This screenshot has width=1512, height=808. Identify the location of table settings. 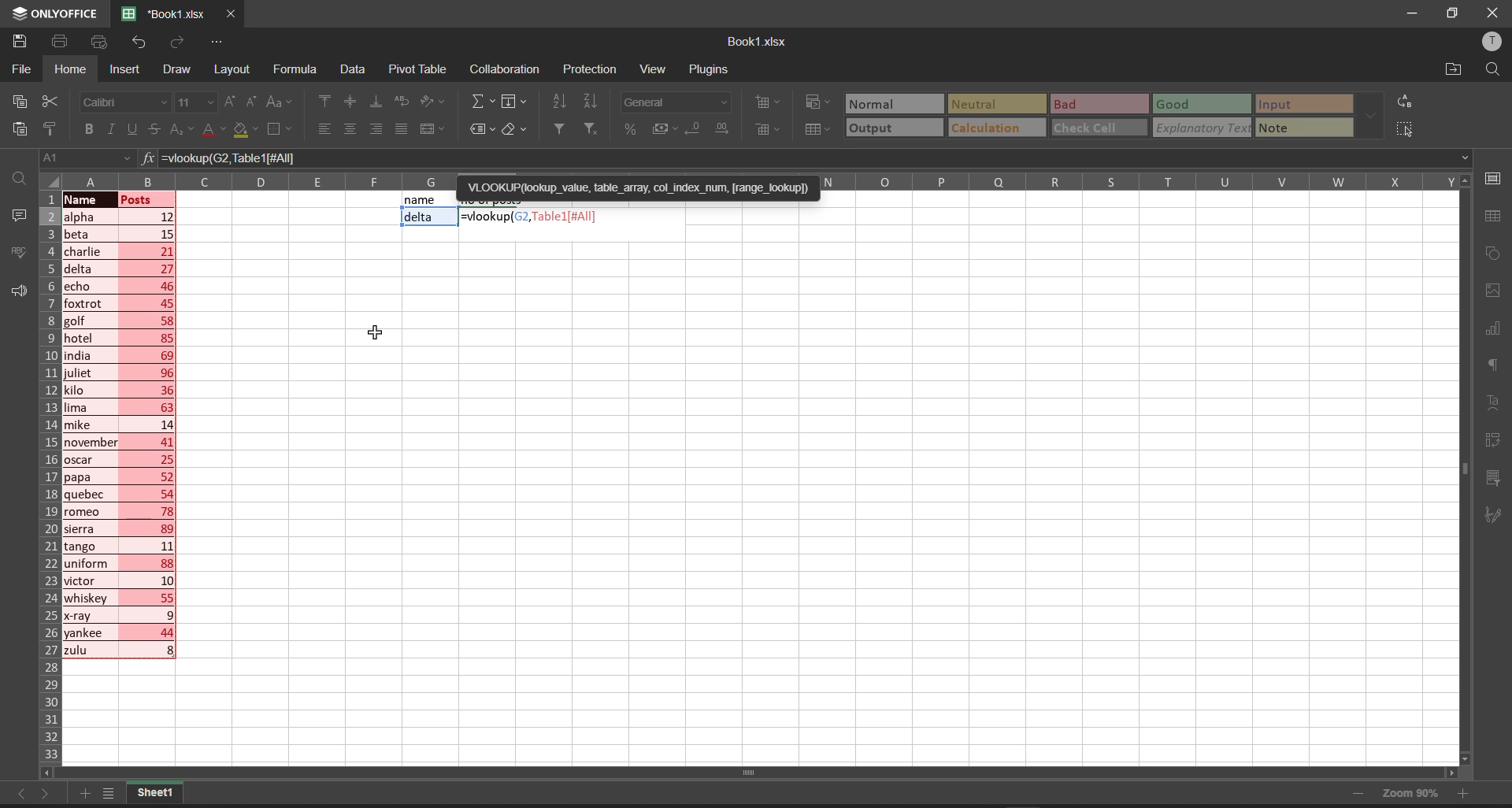
(1498, 217).